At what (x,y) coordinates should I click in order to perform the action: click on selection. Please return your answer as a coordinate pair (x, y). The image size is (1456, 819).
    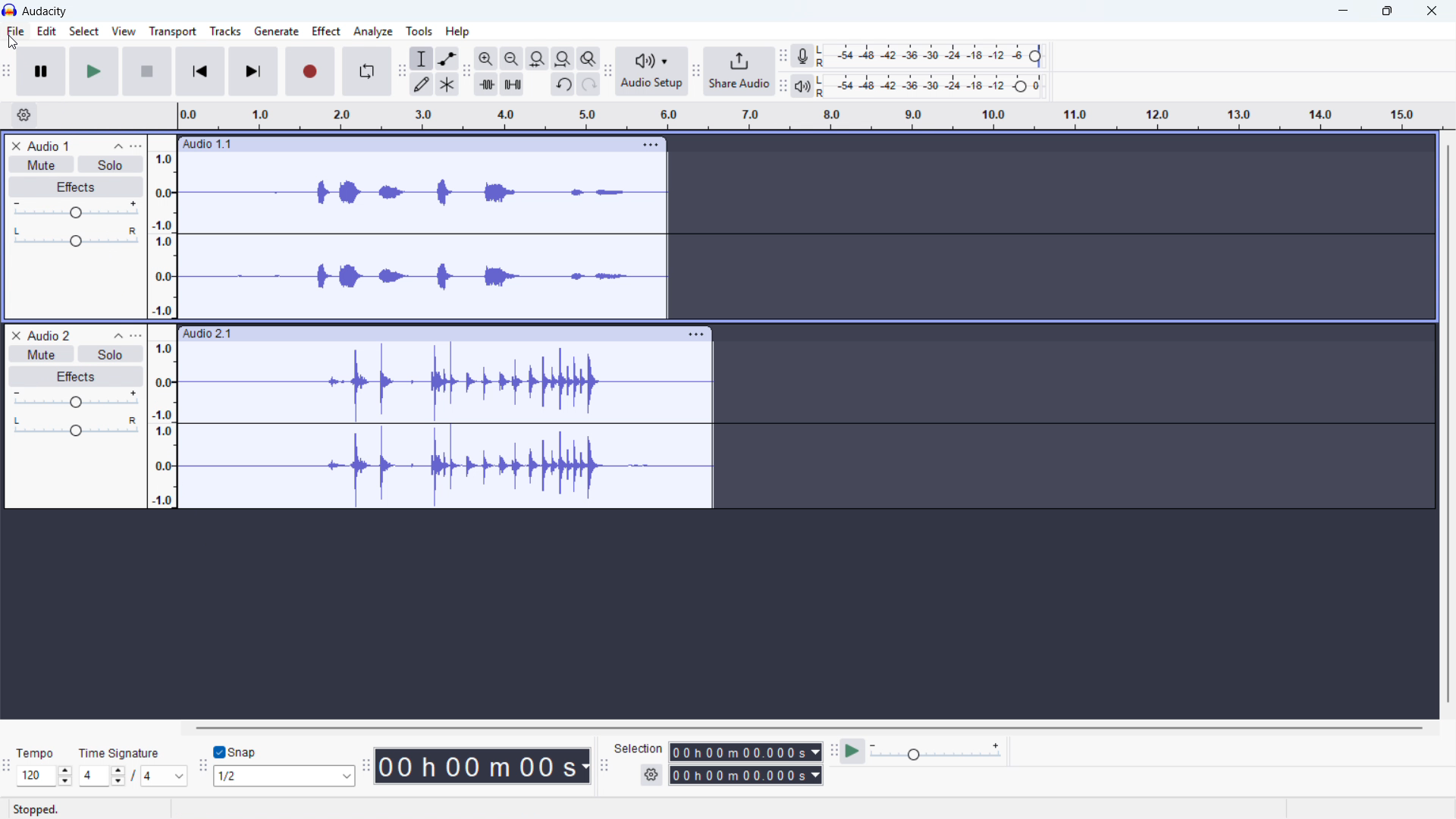
    Looking at the image, I should click on (640, 748).